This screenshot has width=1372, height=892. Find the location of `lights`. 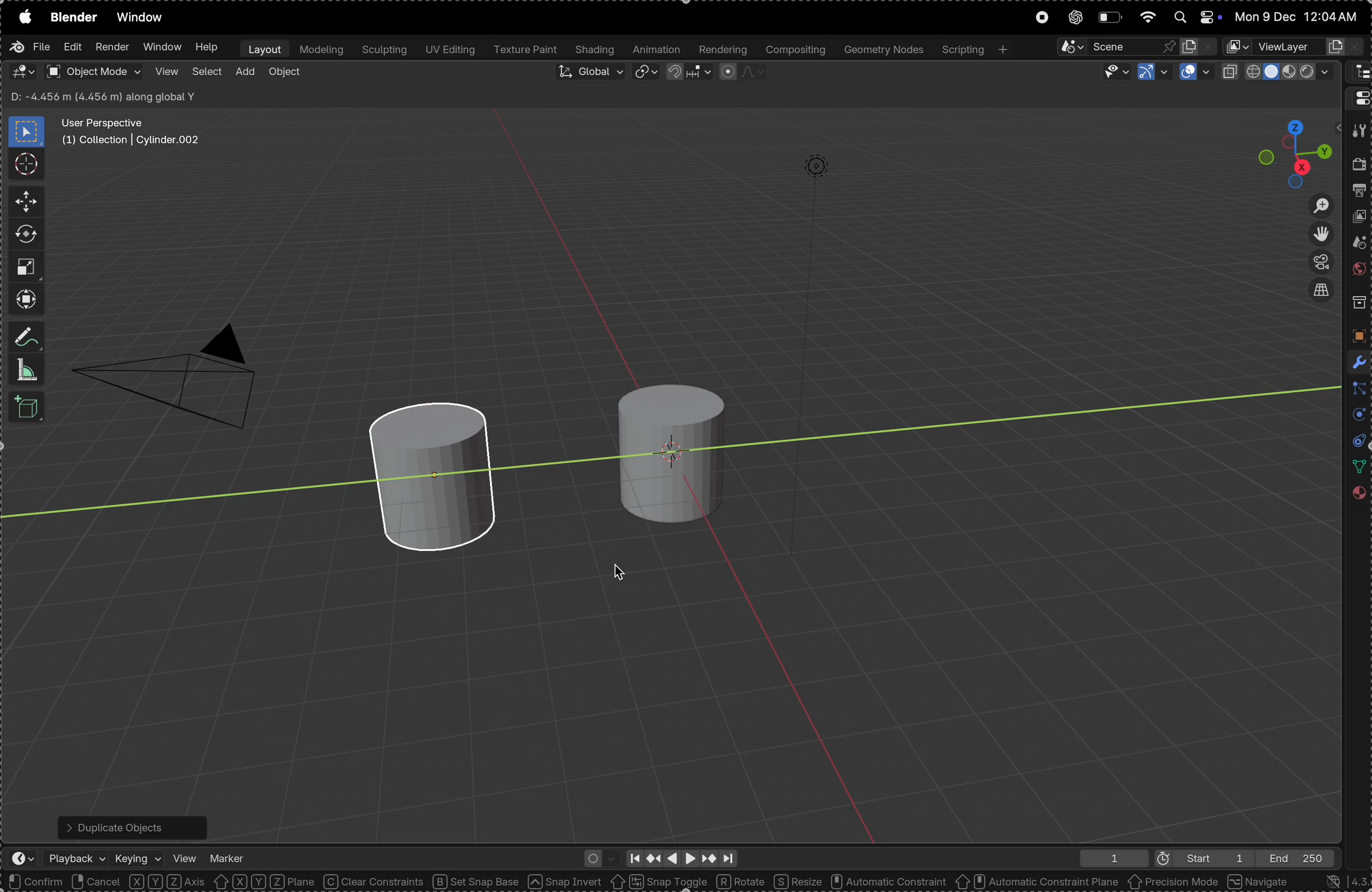

lights is located at coordinates (830, 174).